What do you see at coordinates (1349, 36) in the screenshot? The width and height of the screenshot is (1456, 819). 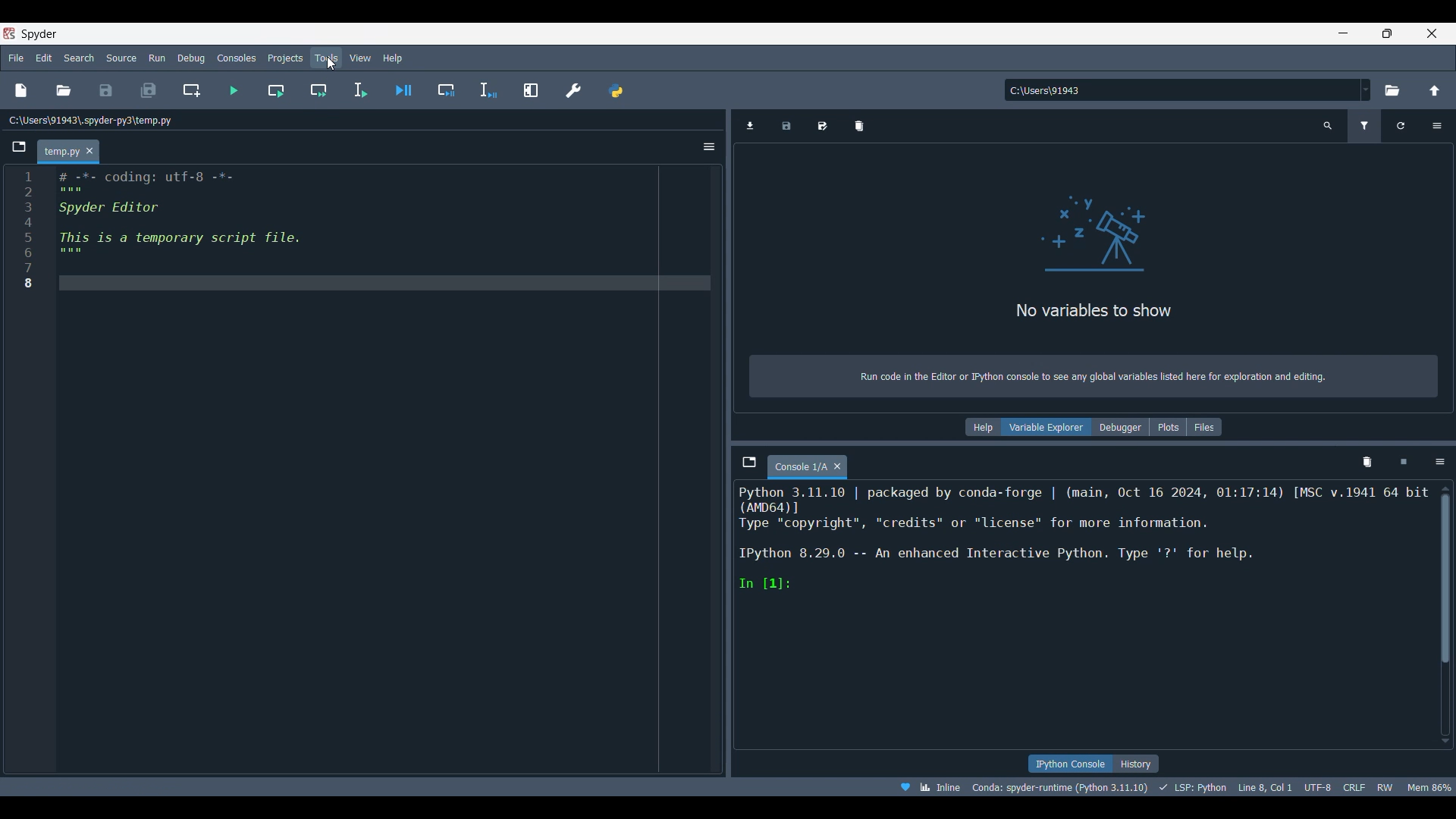 I see `Minimize` at bounding box center [1349, 36].